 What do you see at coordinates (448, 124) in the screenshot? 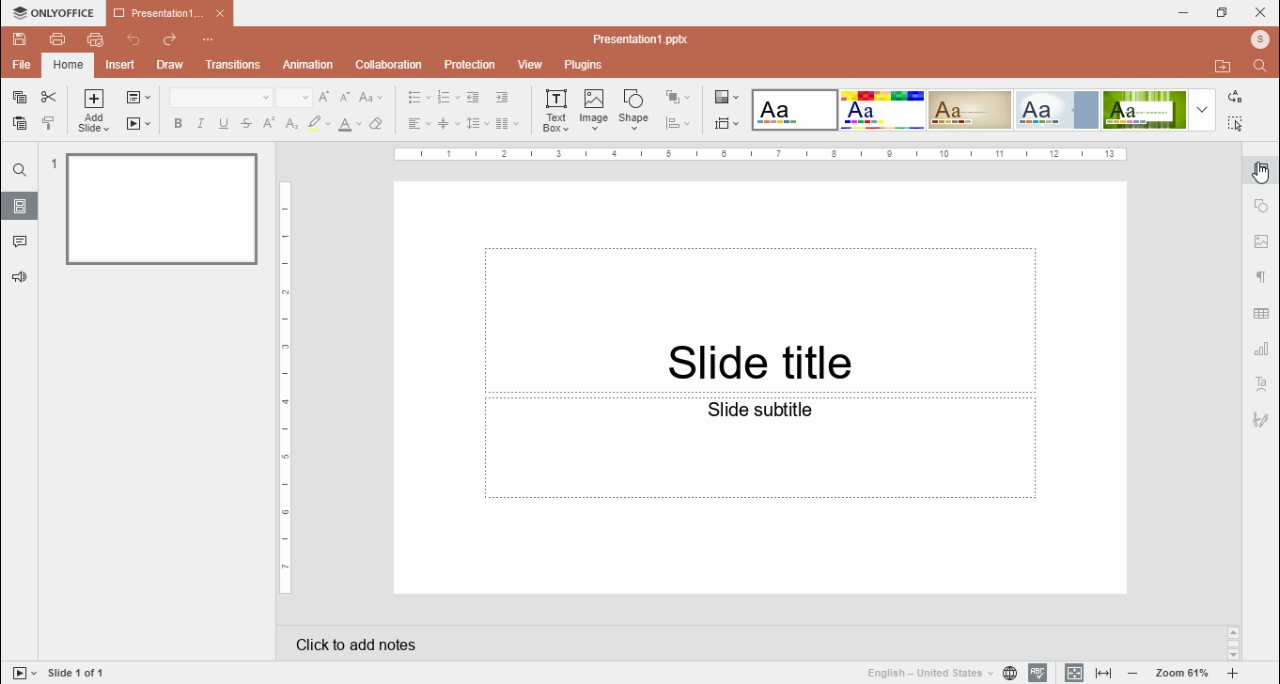
I see `vertical align` at bounding box center [448, 124].